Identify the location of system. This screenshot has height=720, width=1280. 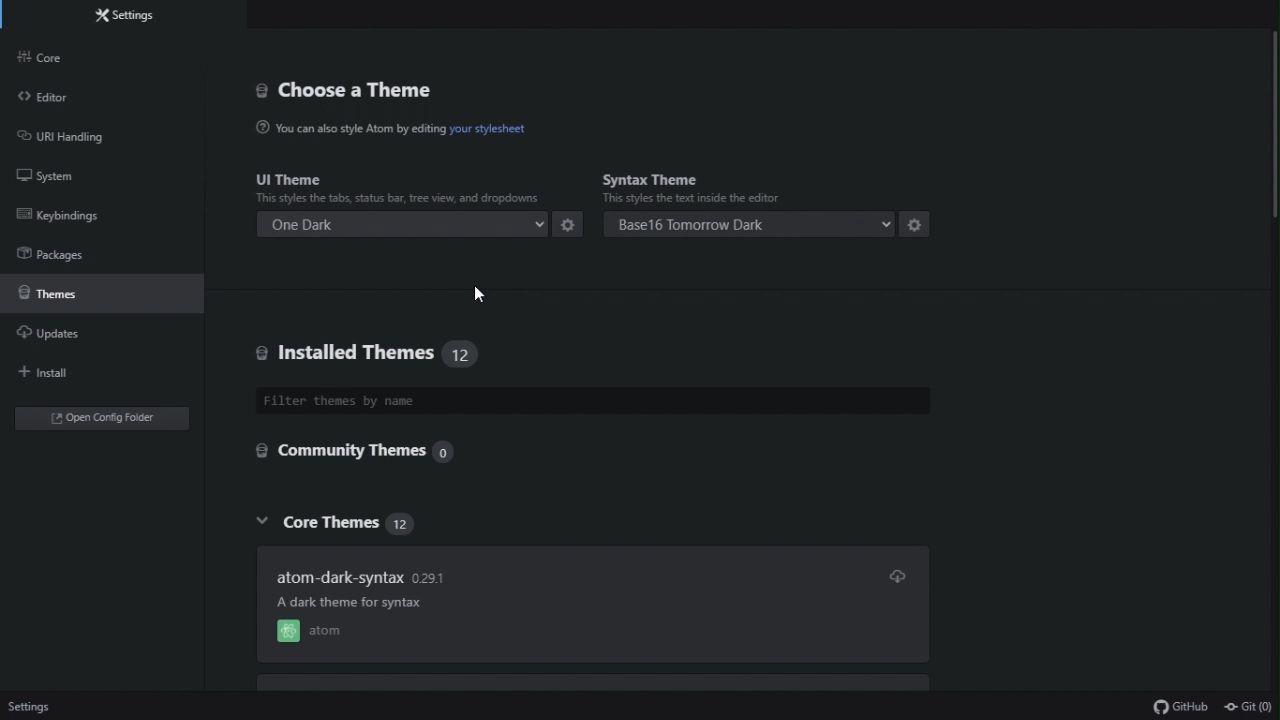
(70, 178).